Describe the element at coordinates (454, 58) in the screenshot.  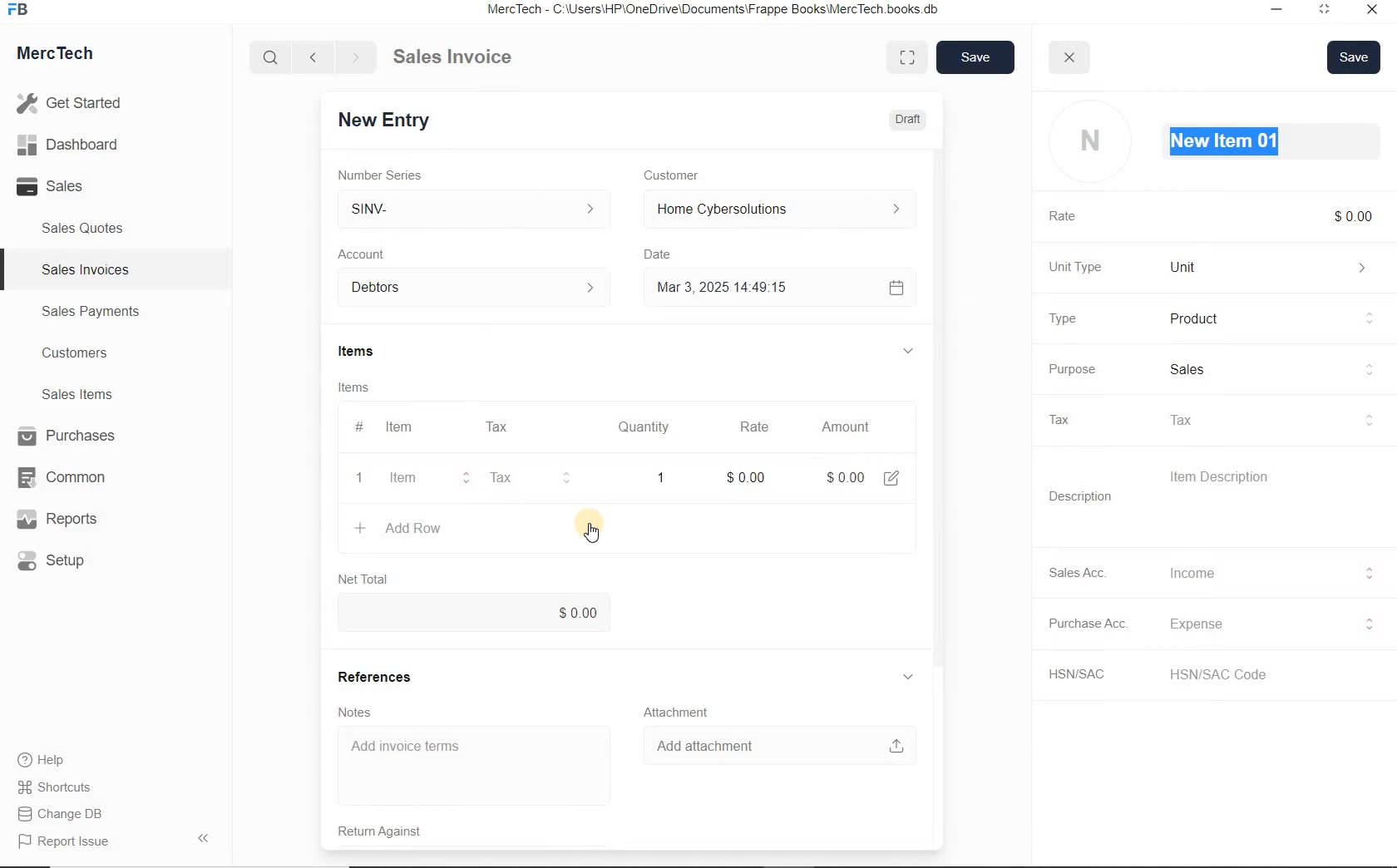
I see `Sales Invoice` at that location.